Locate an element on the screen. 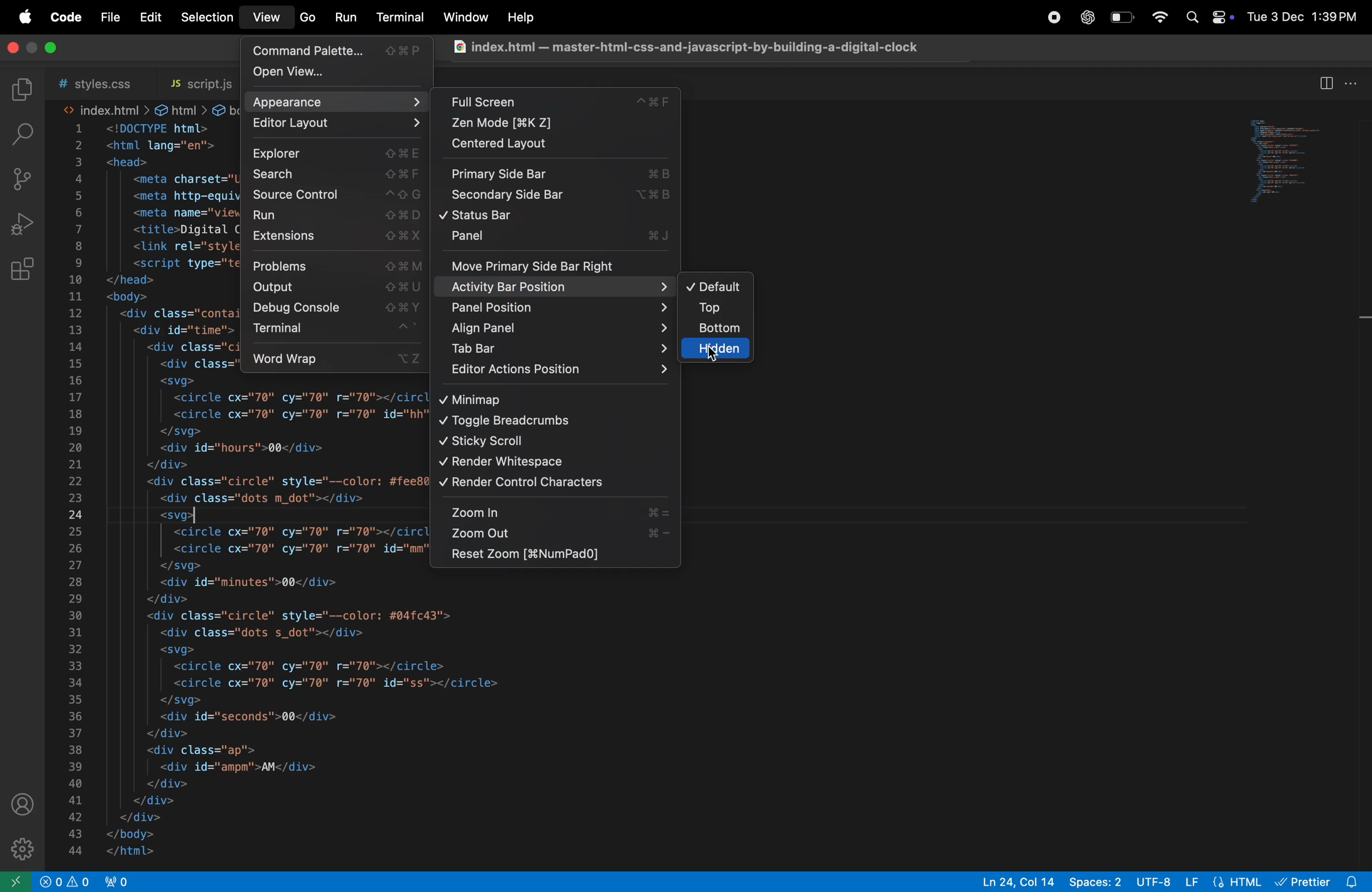 Image resolution: width=1372 pixels, height=892 pixels. open view is located at coordinates (340, 74).